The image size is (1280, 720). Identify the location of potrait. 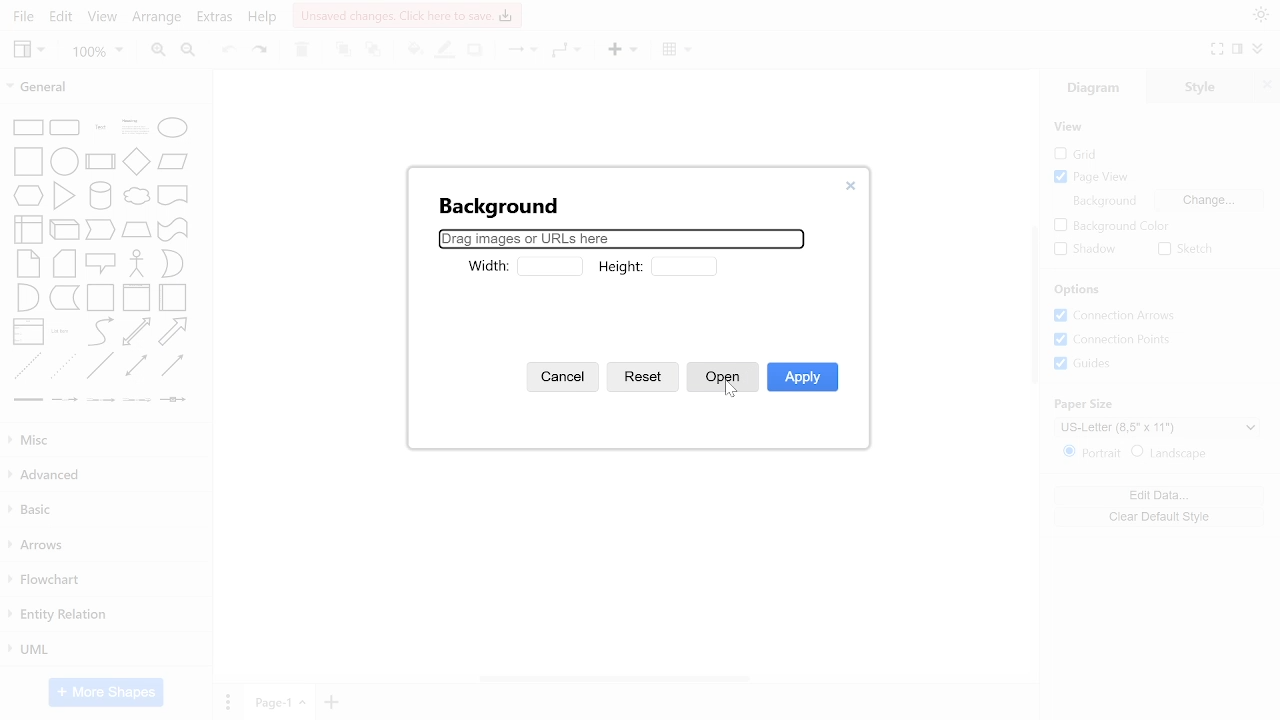
(1093, 452).